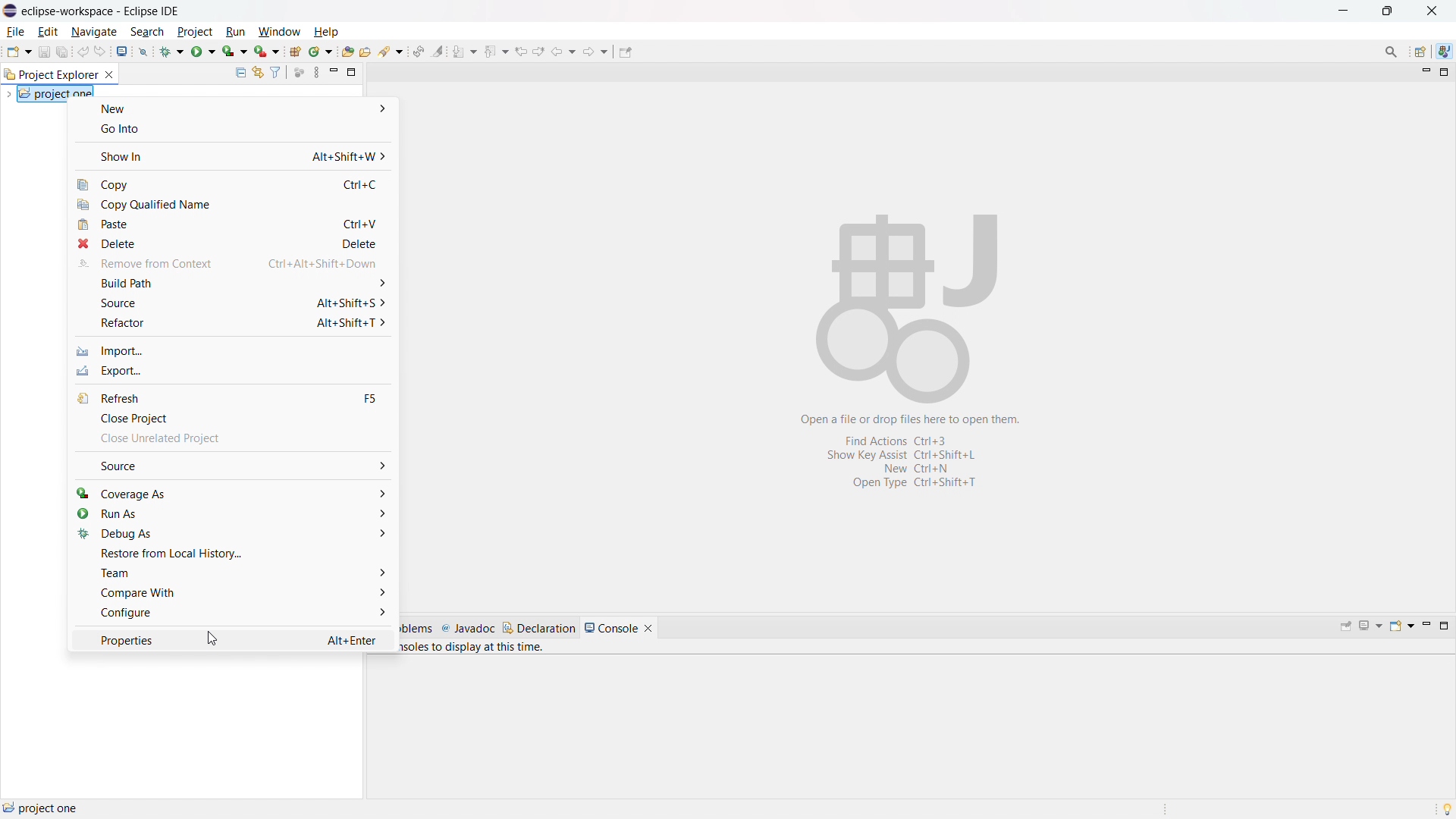  What do you see at coordinates (1342, 11) in the screenshot?
I see `maximize` at bounding box center [1342, 11].